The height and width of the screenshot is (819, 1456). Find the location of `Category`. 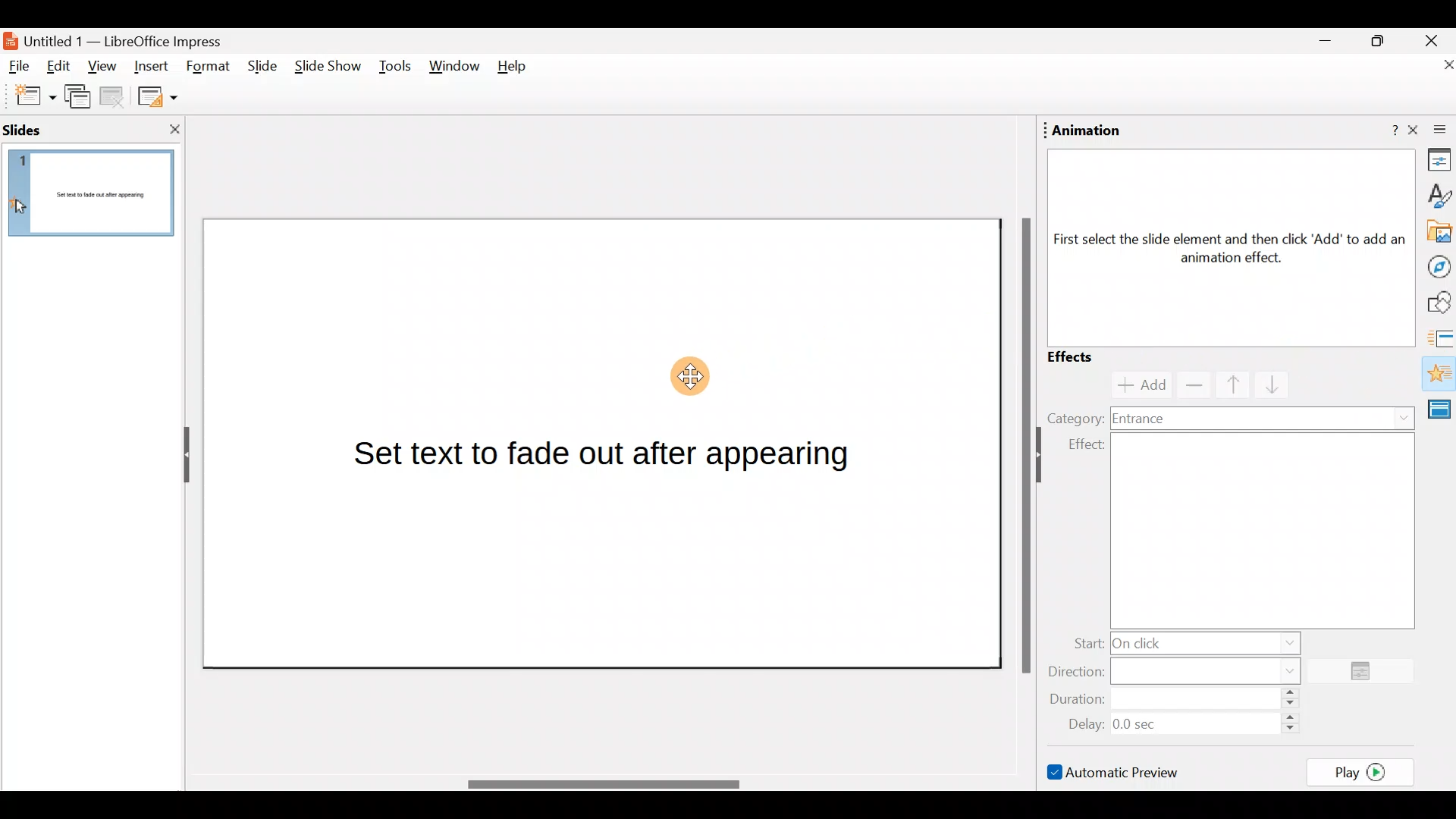

Category is located at coordinates (1075, 417).